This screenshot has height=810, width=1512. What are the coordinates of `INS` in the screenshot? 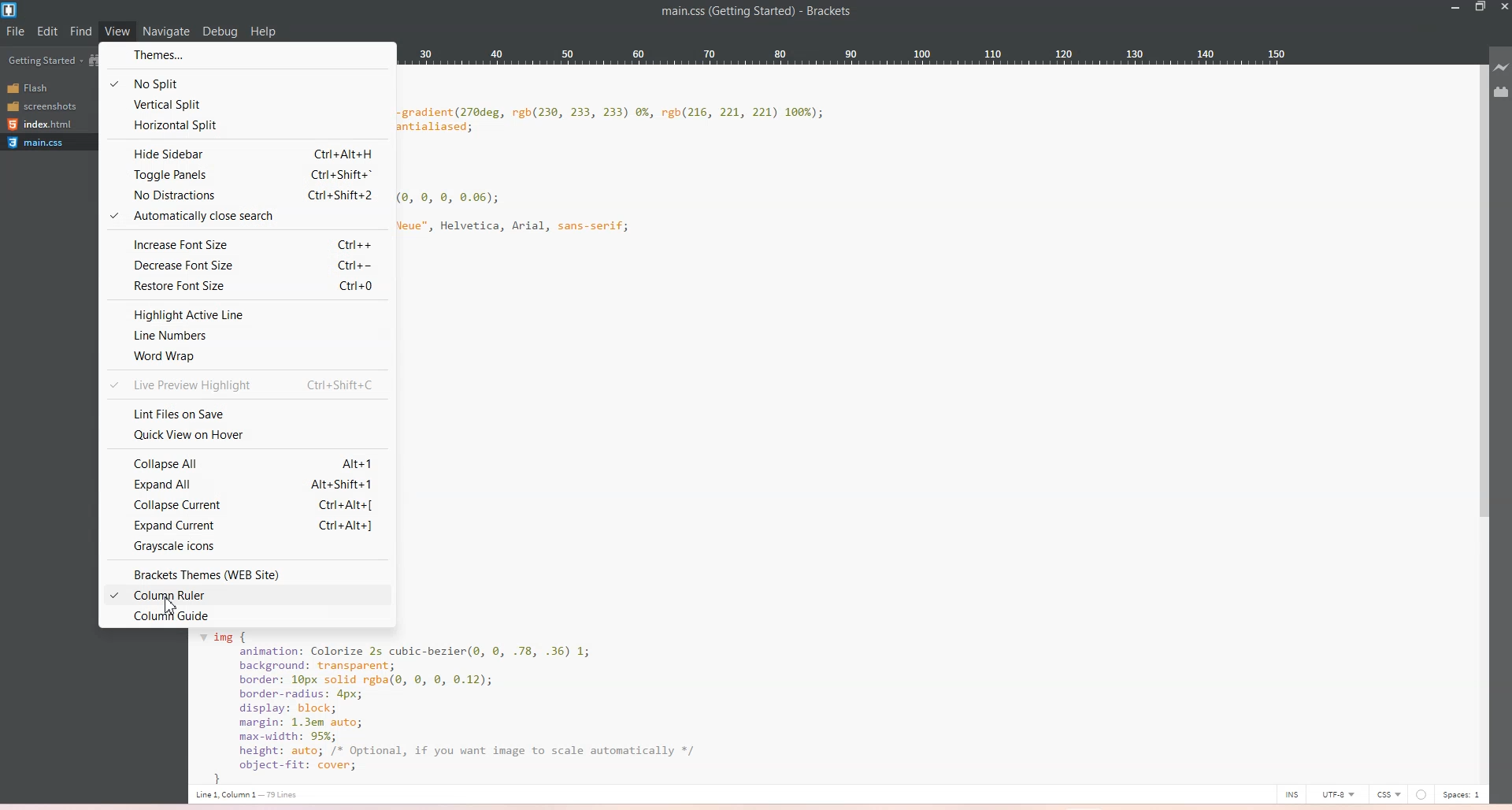 It's located at (1291, 793).